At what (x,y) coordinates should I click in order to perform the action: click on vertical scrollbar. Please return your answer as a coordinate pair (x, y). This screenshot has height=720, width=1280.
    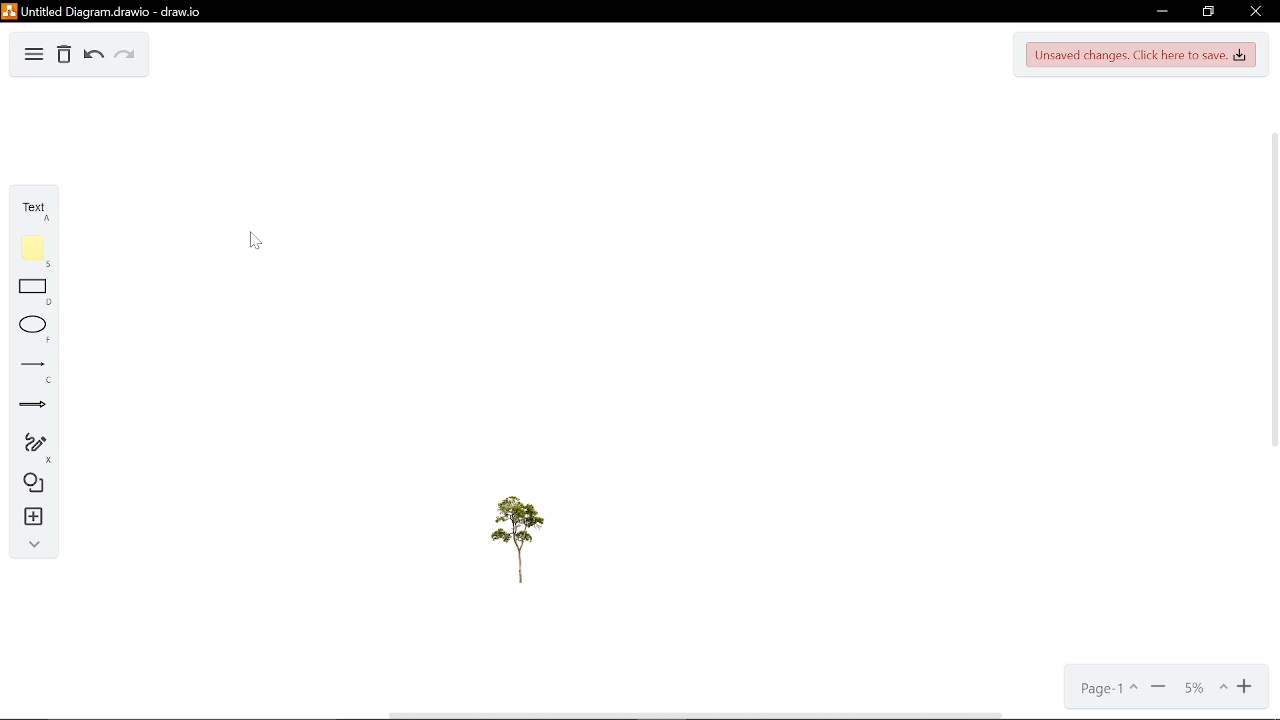
    Looking at the image, I should click on (1269, 295).